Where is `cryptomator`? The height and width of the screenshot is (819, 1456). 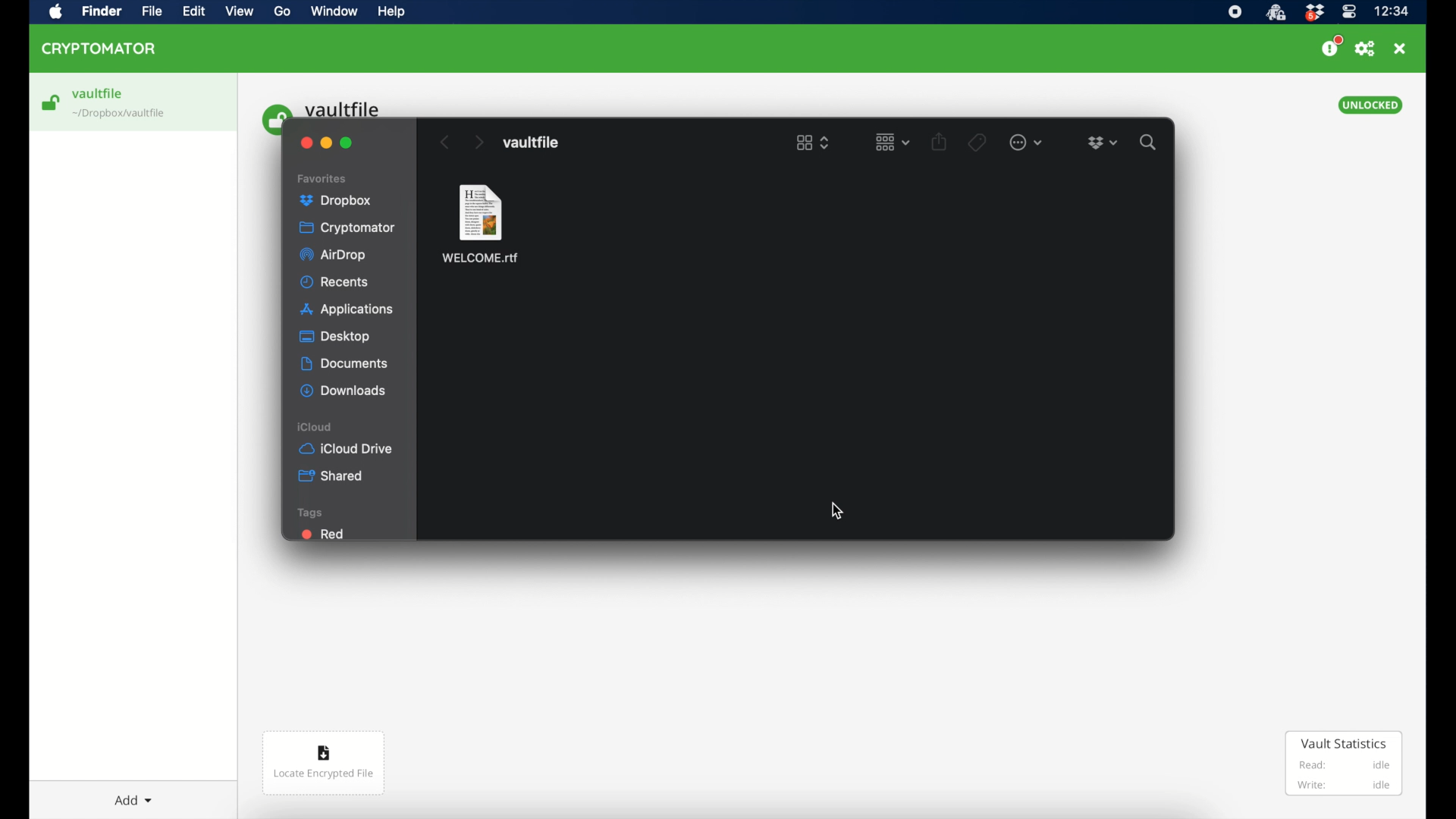
cryptomator is located at coordinates (99, 48).